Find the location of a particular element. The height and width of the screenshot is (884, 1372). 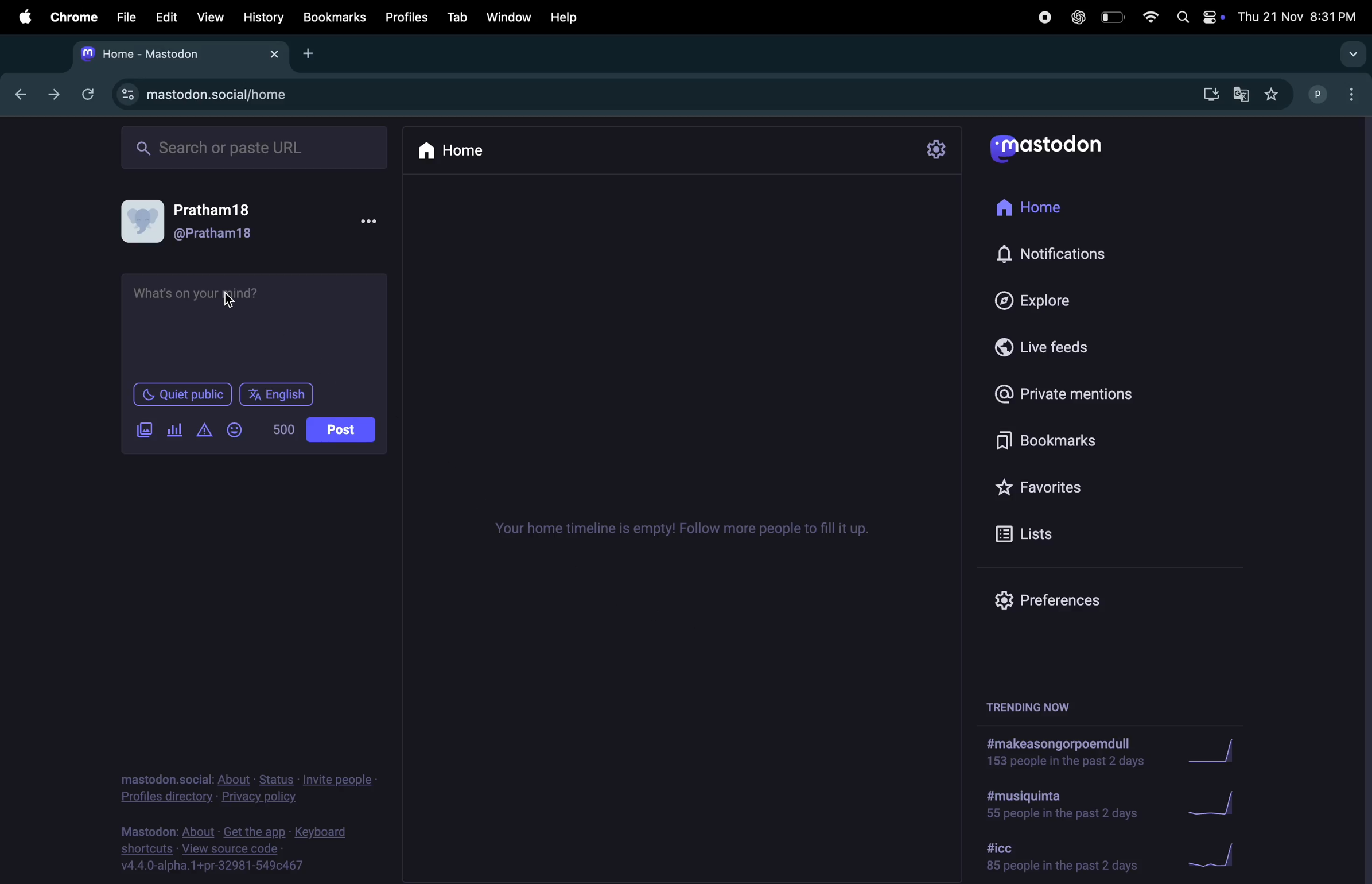

date and time is located at coordinates (1300, 17).